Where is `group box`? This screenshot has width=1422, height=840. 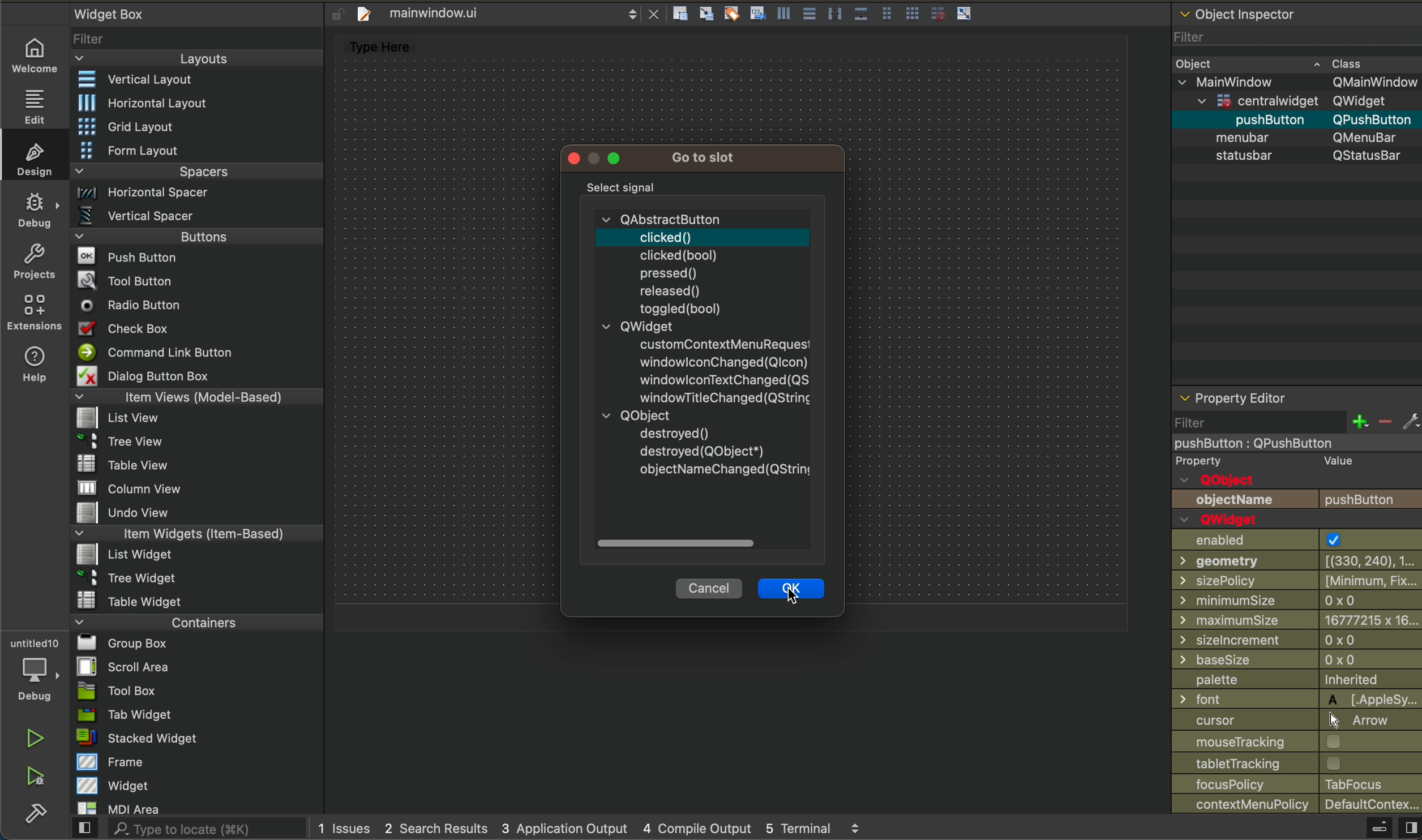
group box is located at coordinates (194, 646).